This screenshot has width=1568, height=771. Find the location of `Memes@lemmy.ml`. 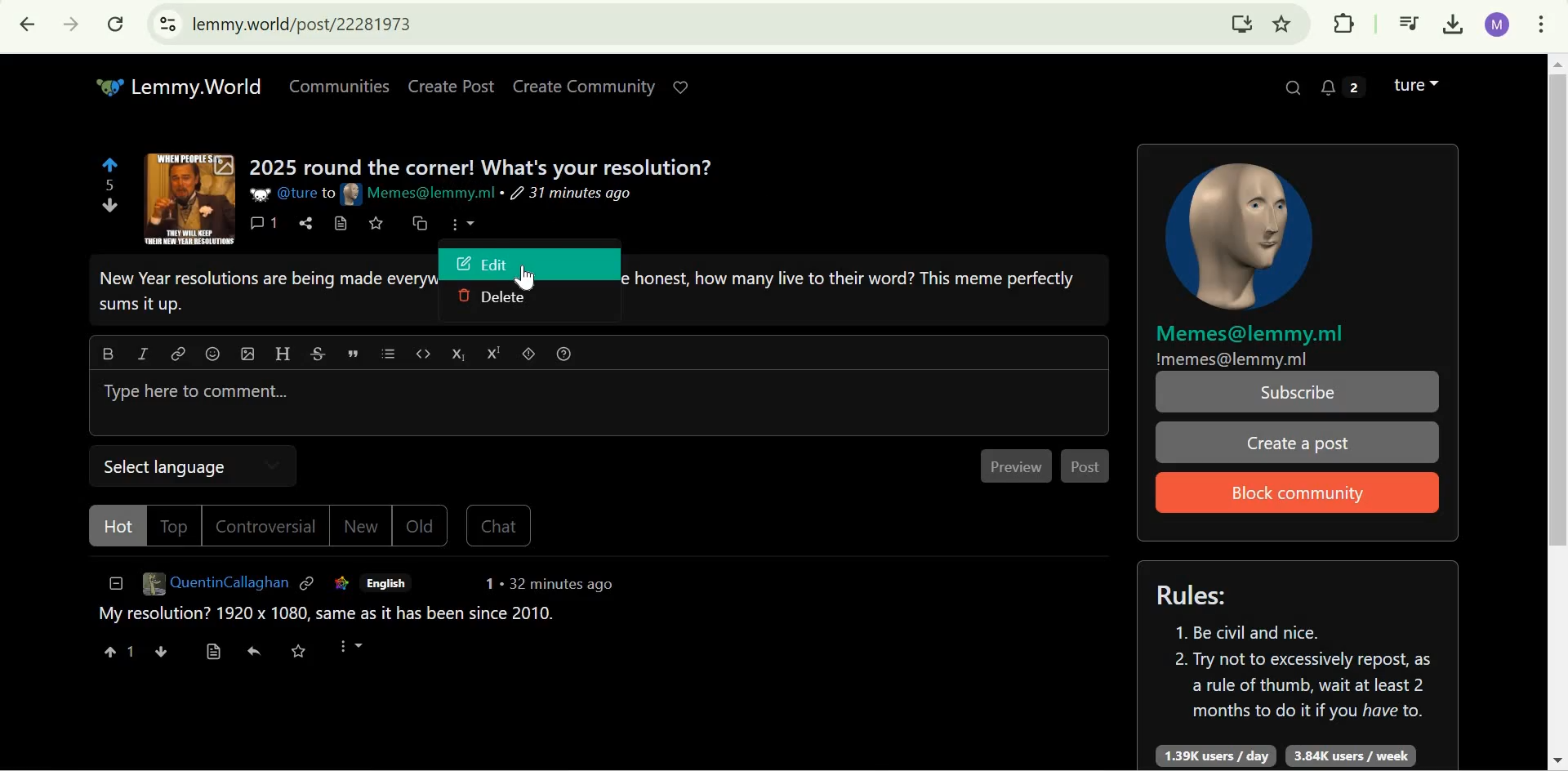

Memes@lemmy.ml is located at coordinates (420, 193).